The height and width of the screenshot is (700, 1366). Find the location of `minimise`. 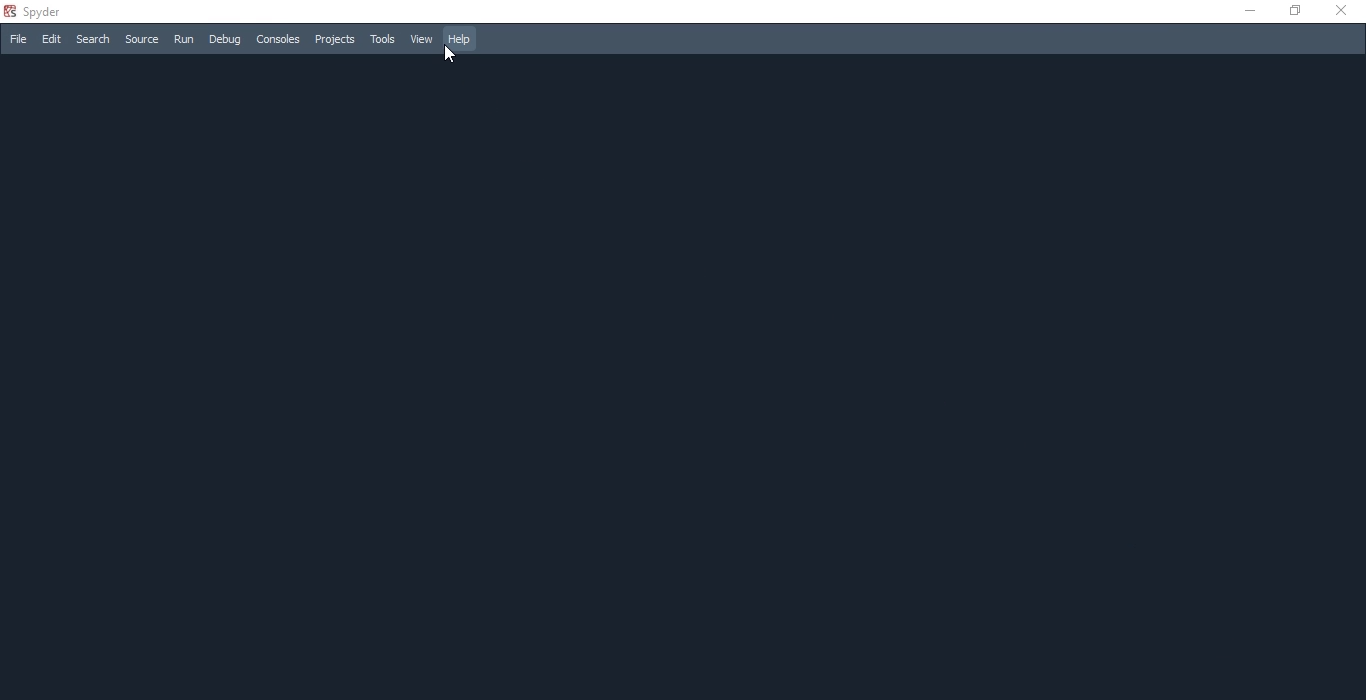

minimise is located at coordinates (1245, 10).